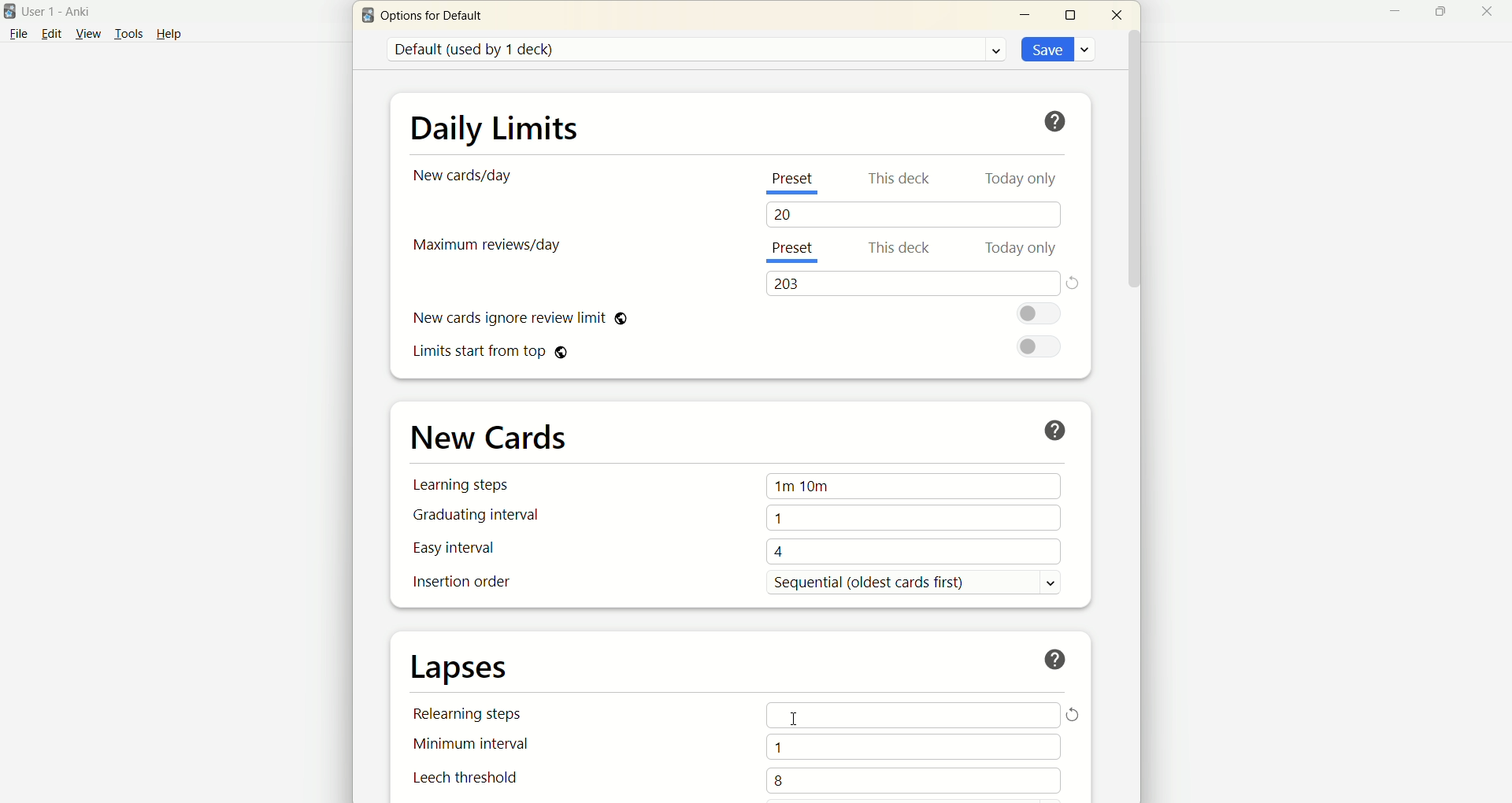 Image resolution: width=1512 pixels, height=803 pixels. What do you see at coordinates (915, 779) in the screenshot?
I see `8` at bounding box center [915, 779].